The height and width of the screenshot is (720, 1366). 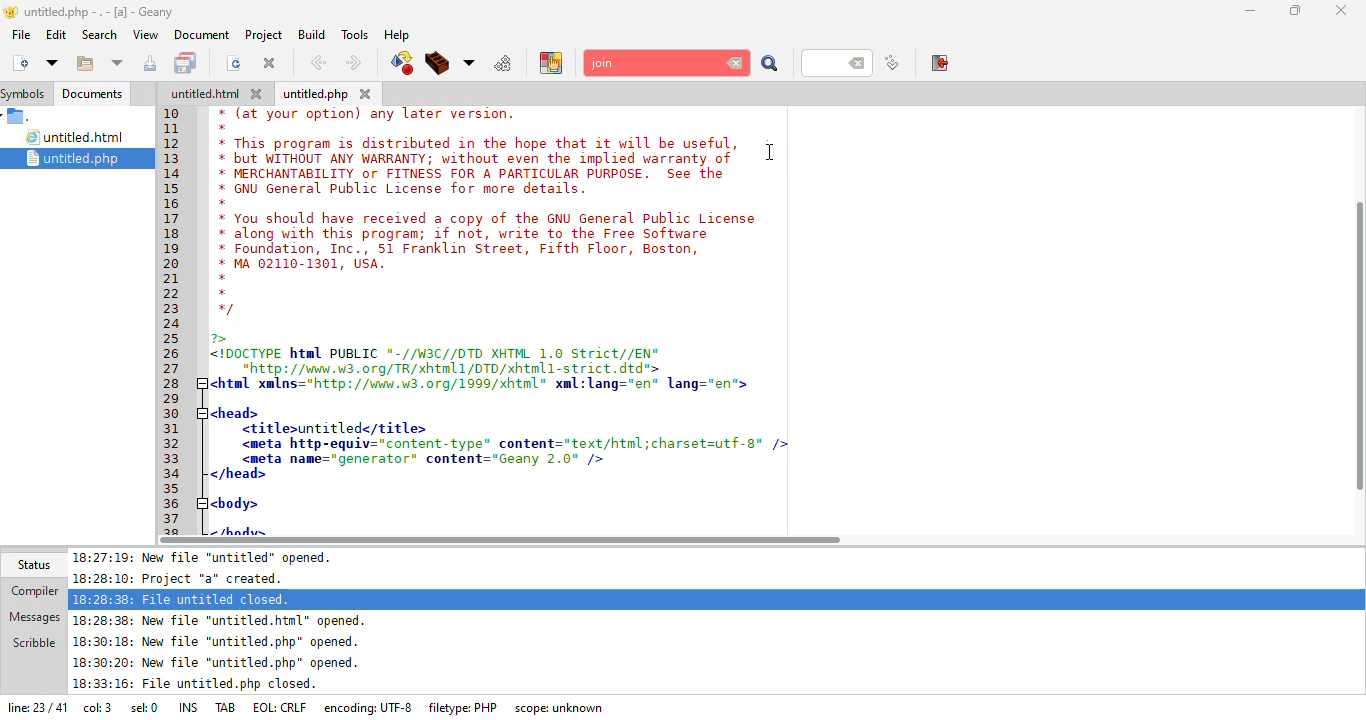 What do you see at coordinates (188, 578) in the screenshot?
I see `18:28:10: project "a" created.` at bounding box center [188, 578].